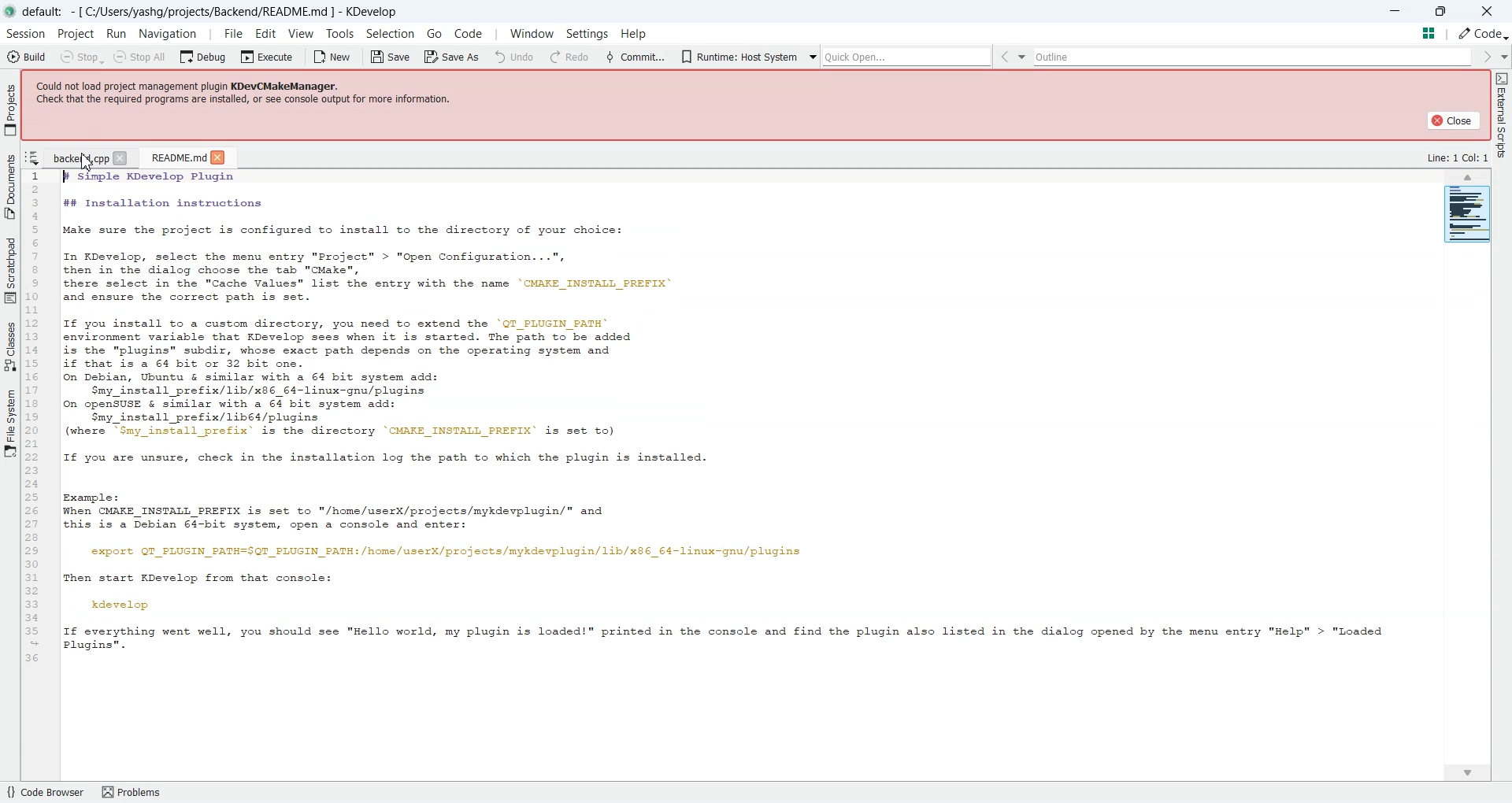 This screenshot has width=1512, height=803. What do you see at coordinates (1442, 9) in the screenshot?
I see `Maximize` at bounding box center [1442, 9].